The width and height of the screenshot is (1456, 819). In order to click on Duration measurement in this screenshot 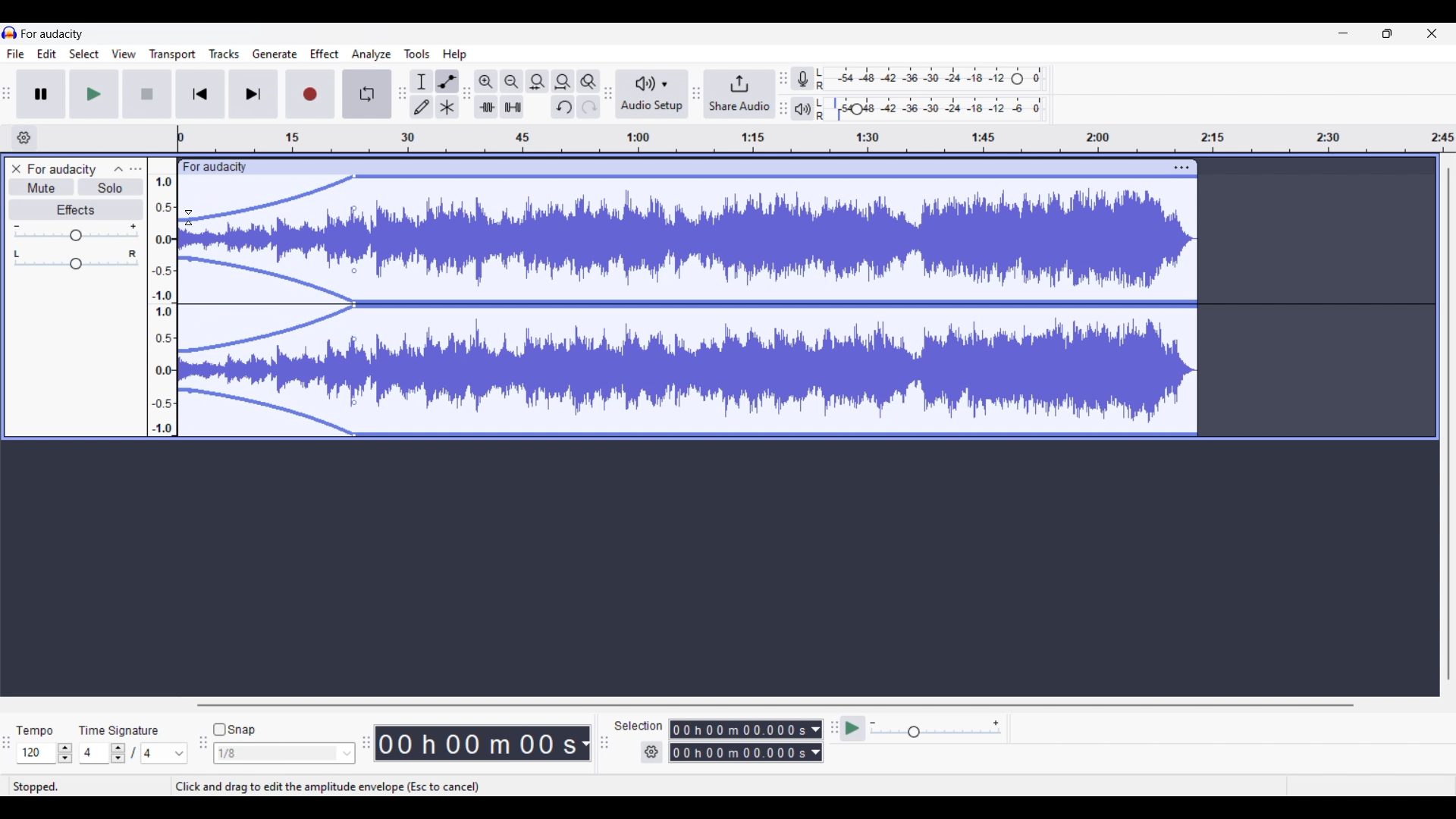, I will do `click(817, 741)`.